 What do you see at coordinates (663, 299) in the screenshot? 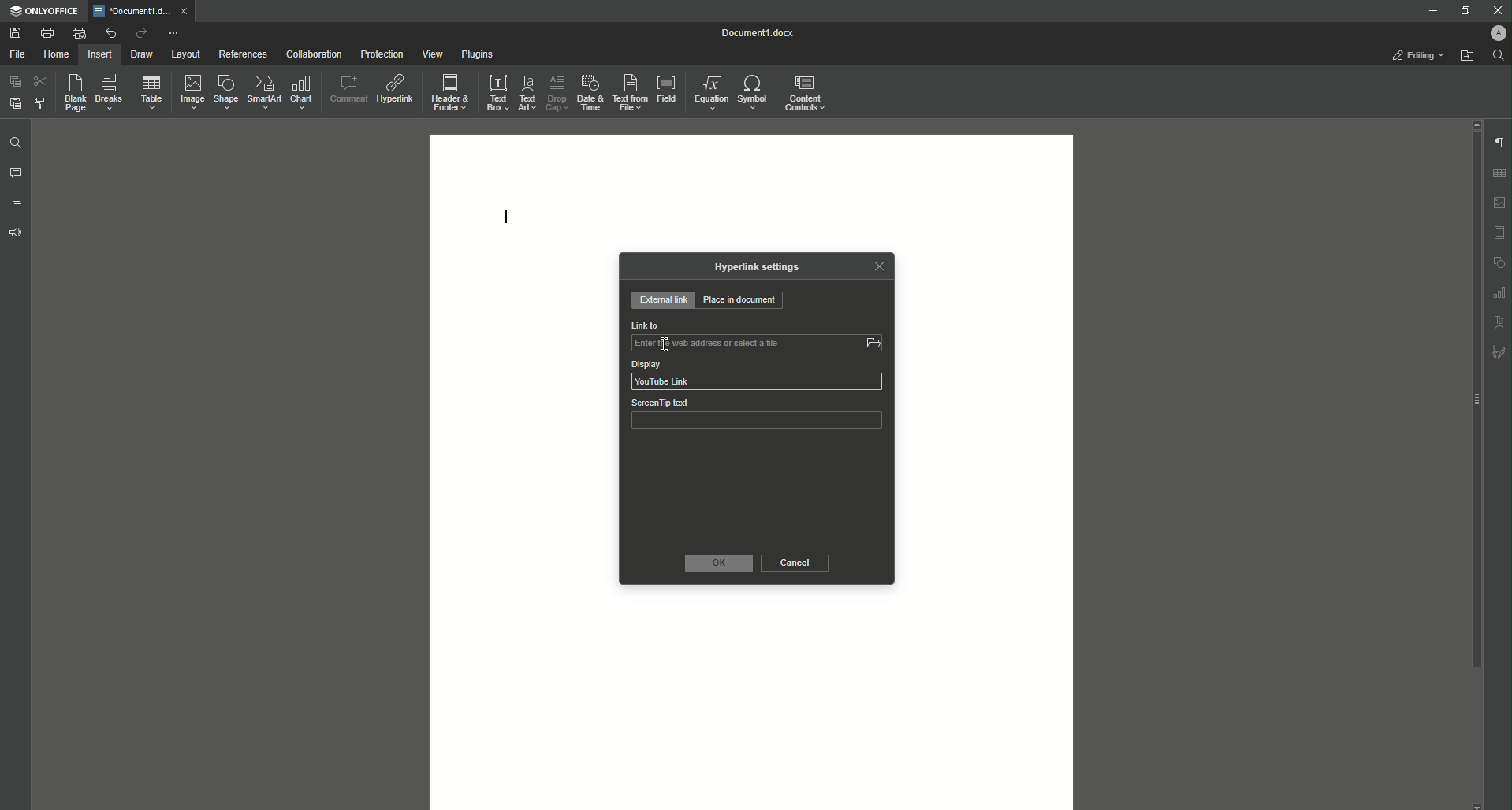
I see `External Link` at bounding box center [663, 299].